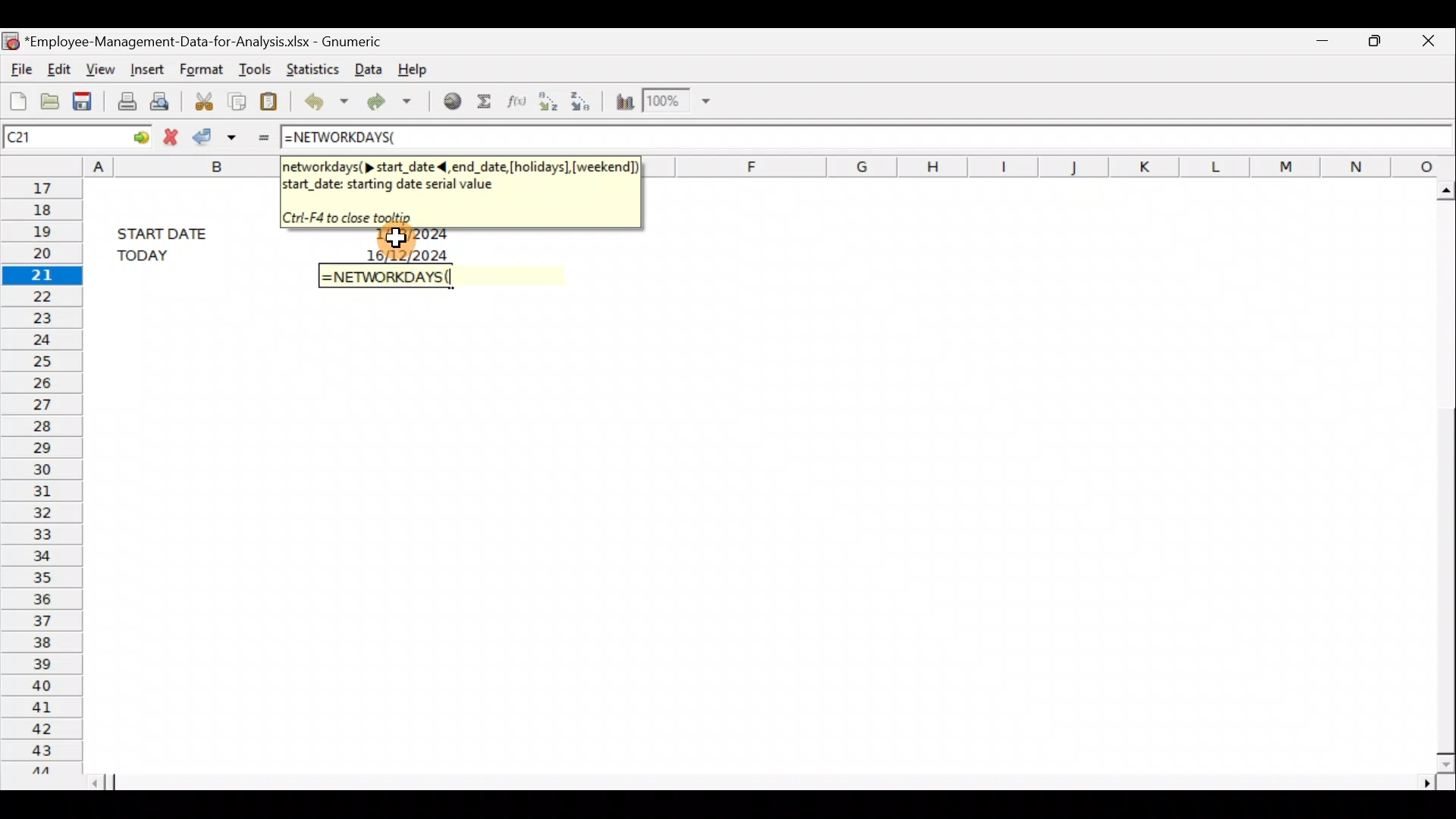  I want to click on Cancel change, so click(169, 136).